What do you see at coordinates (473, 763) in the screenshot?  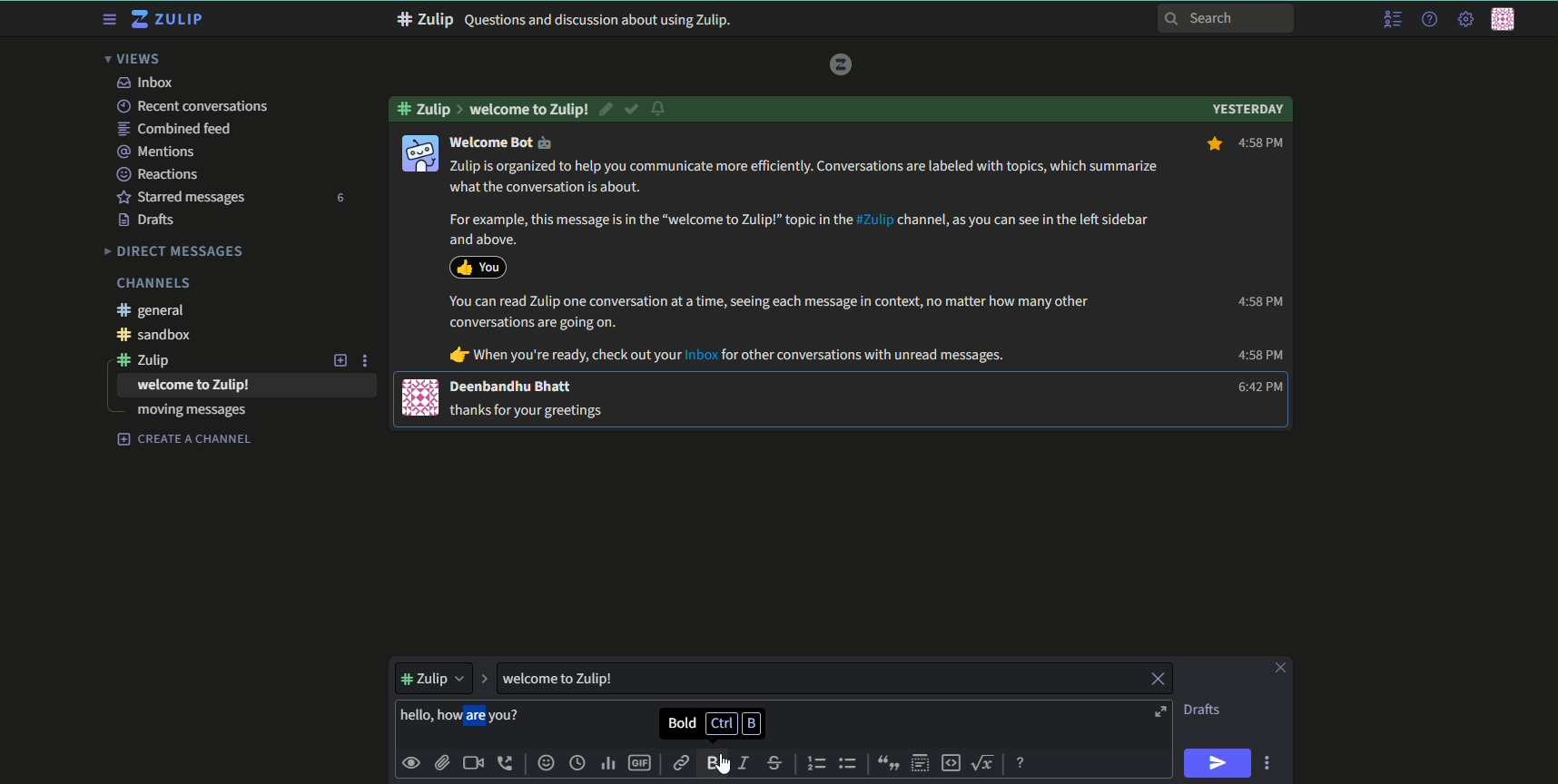 I see `add video call` at bounding box center [473, 763].